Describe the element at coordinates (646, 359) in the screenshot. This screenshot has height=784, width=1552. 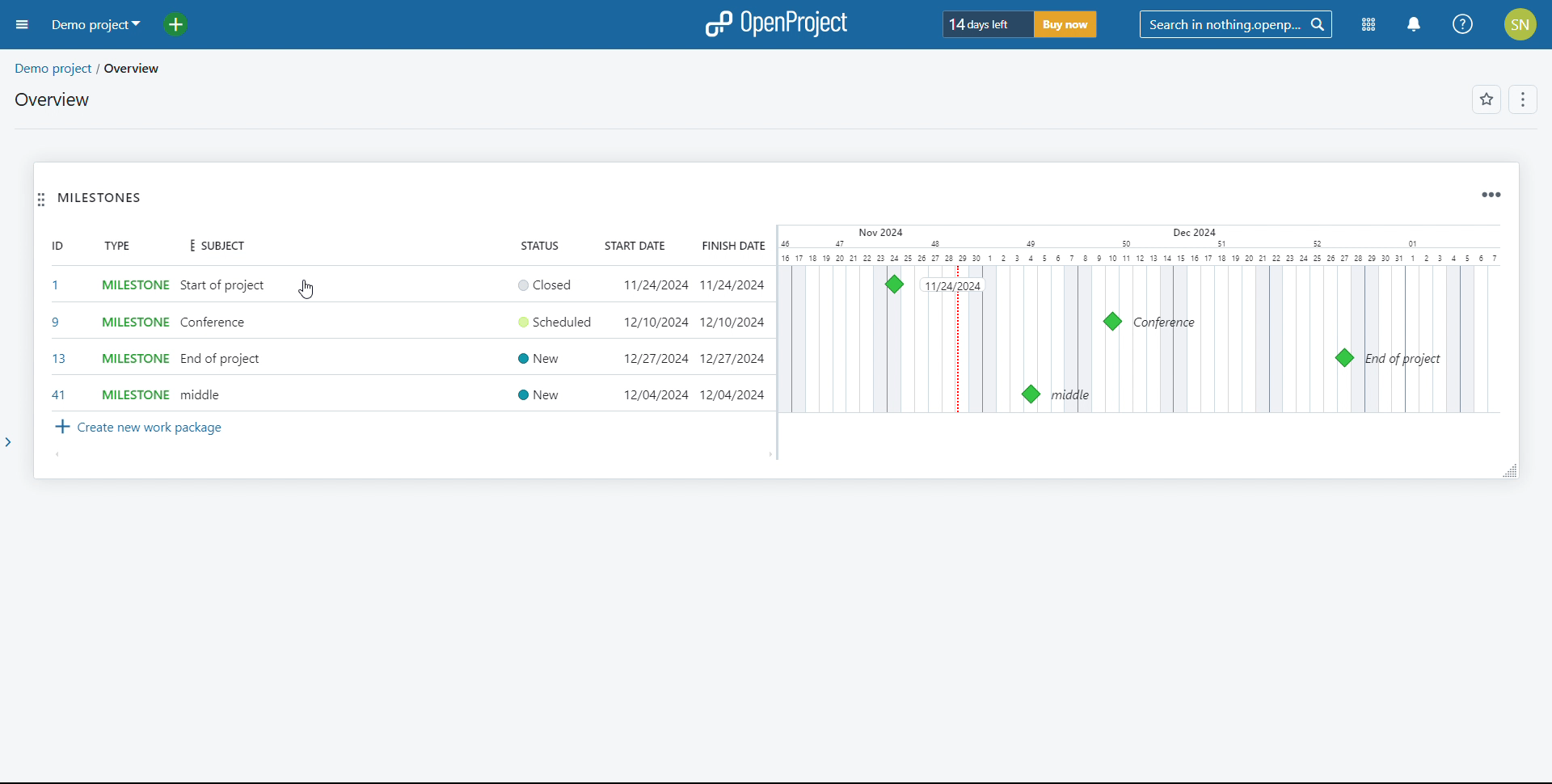
I see `12/27/2024` at that location.